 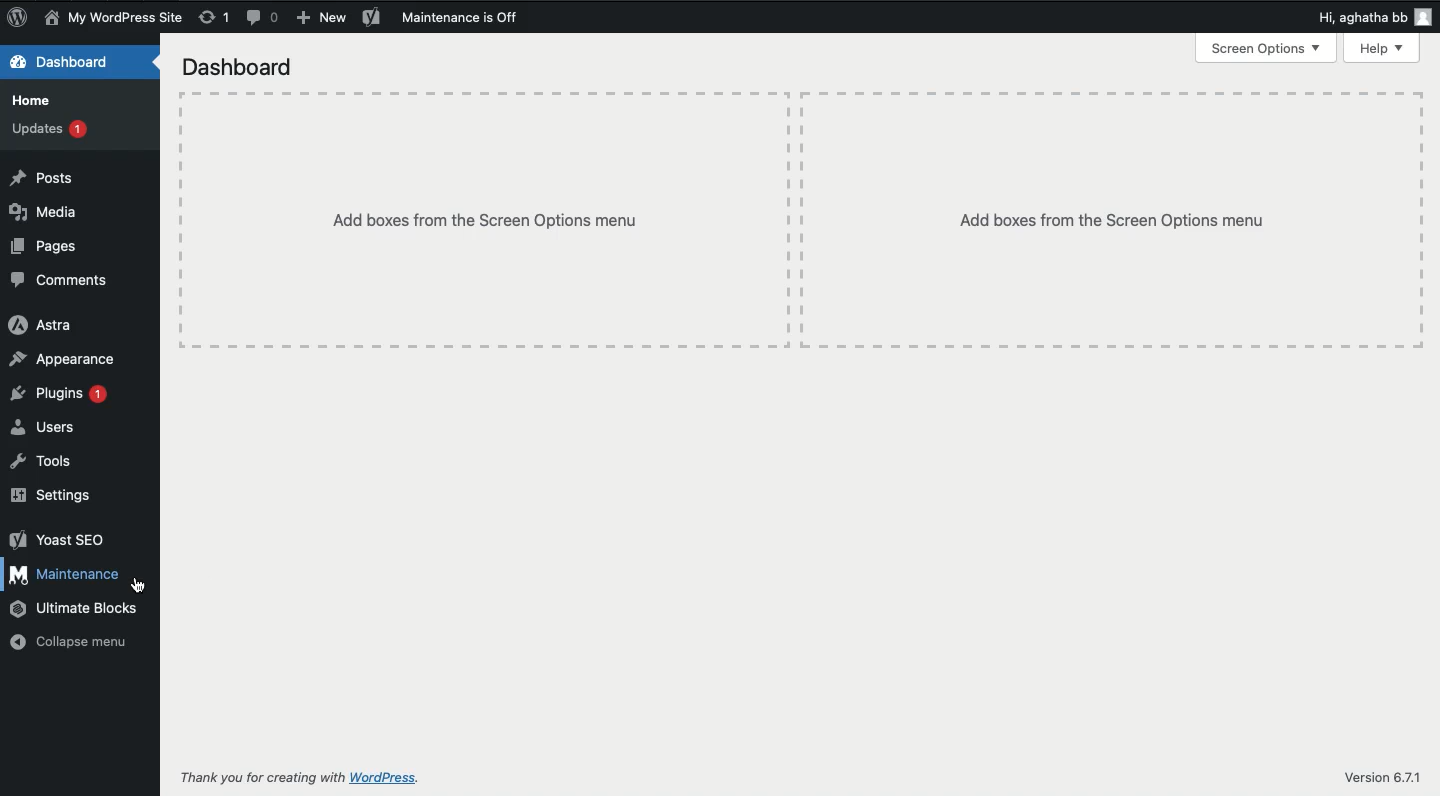 What do you see at coordinates (1267, 47) in the screenshot?
I see `Screen options` at bounding box center [1267, 47].